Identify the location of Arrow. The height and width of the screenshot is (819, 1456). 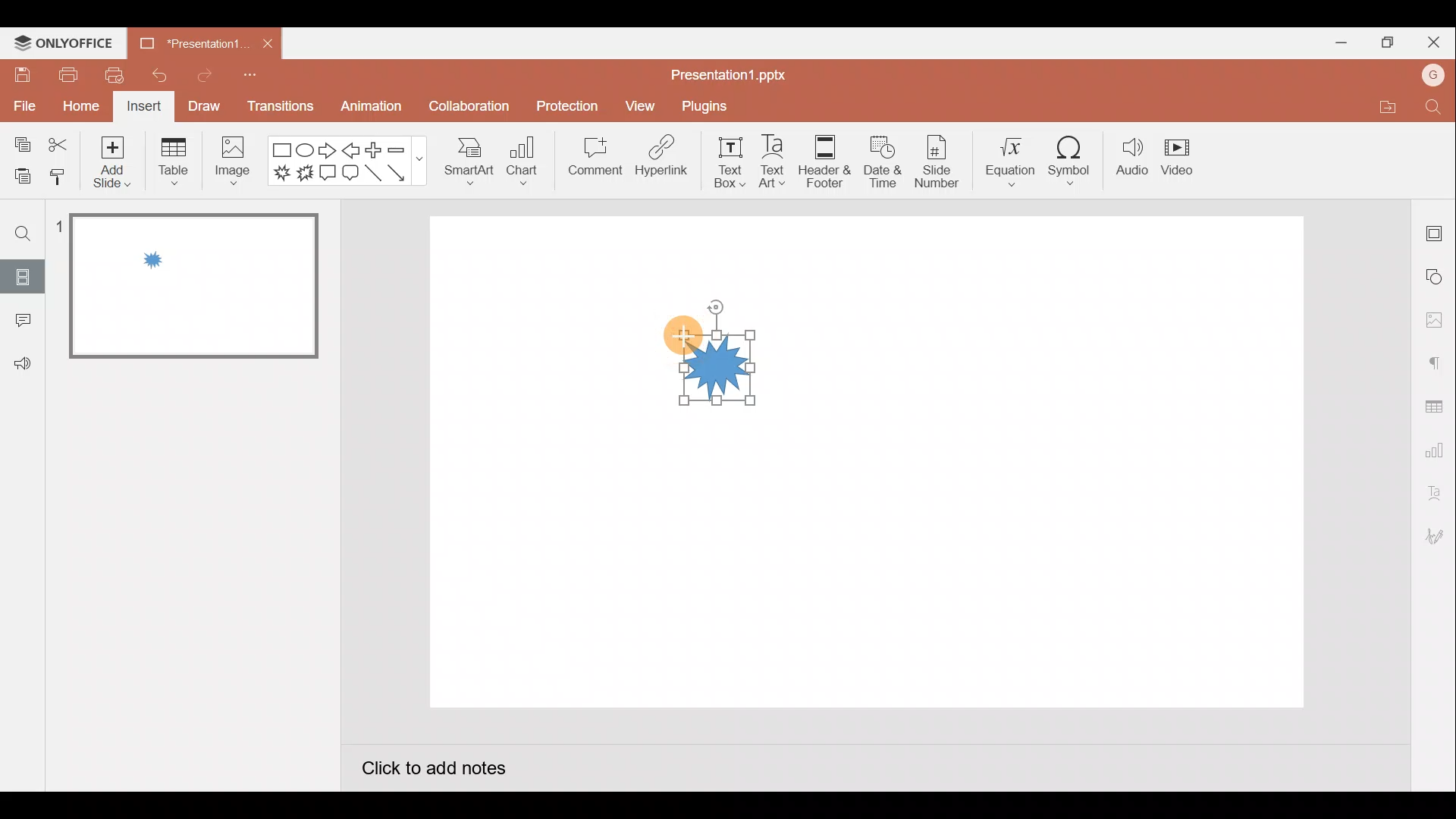
(401, 174).